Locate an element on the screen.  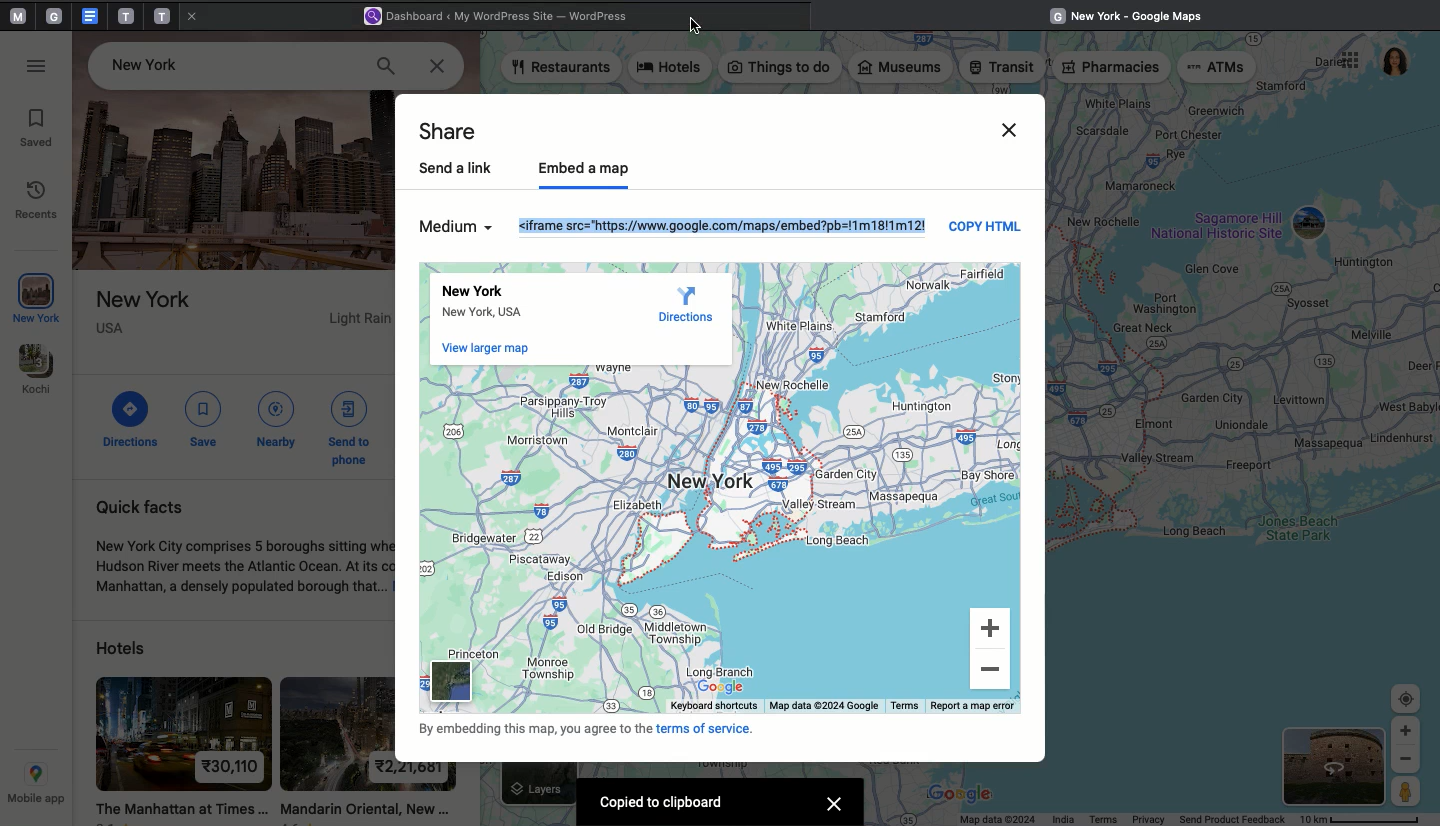
Options is located at coordinates (1347, 62).